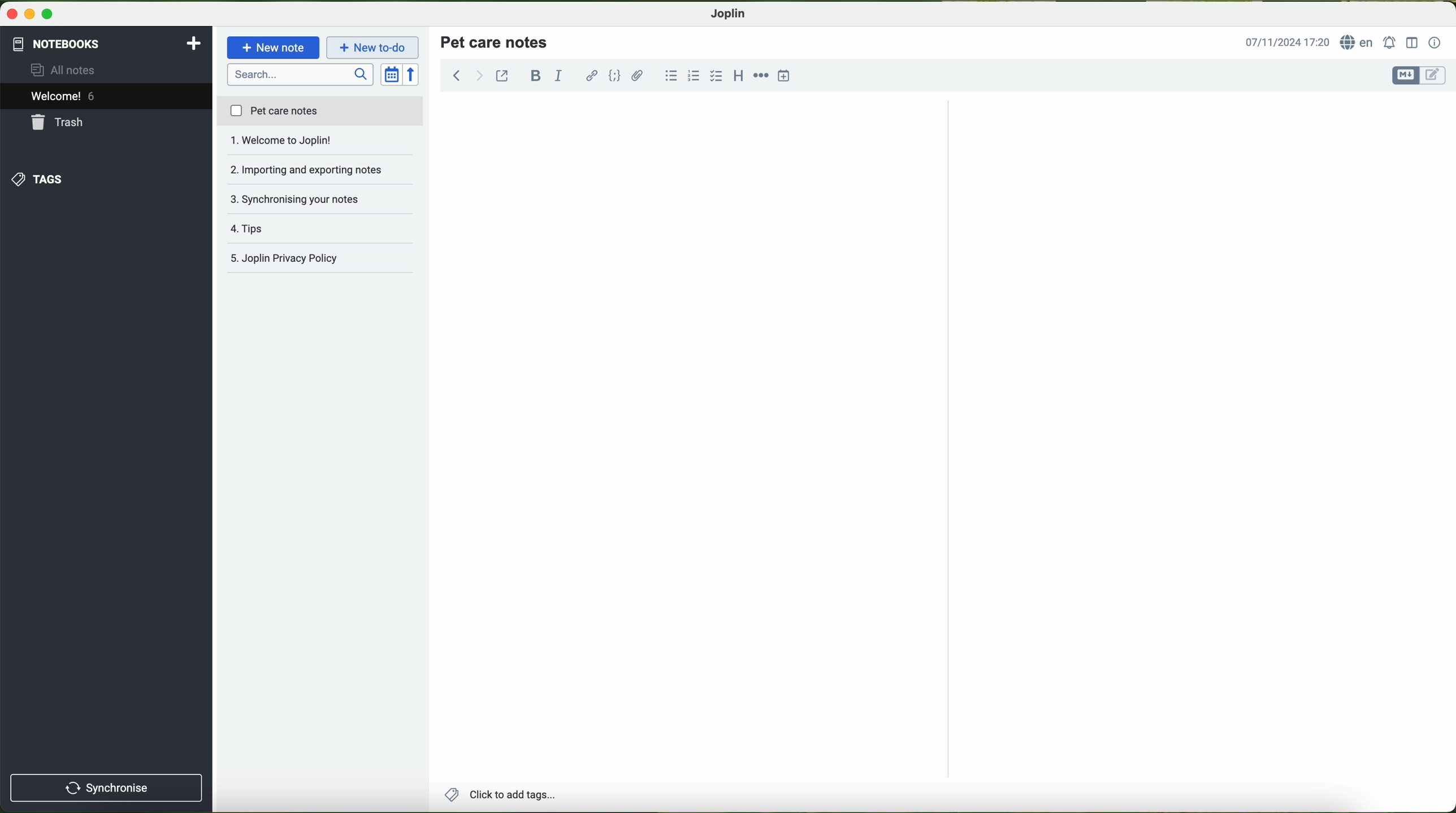 The height and width of the screenshot is (813, 1456). Describe the element at coordinates (466, 75) in the screenshot. I see `navigation arrows` at that location.